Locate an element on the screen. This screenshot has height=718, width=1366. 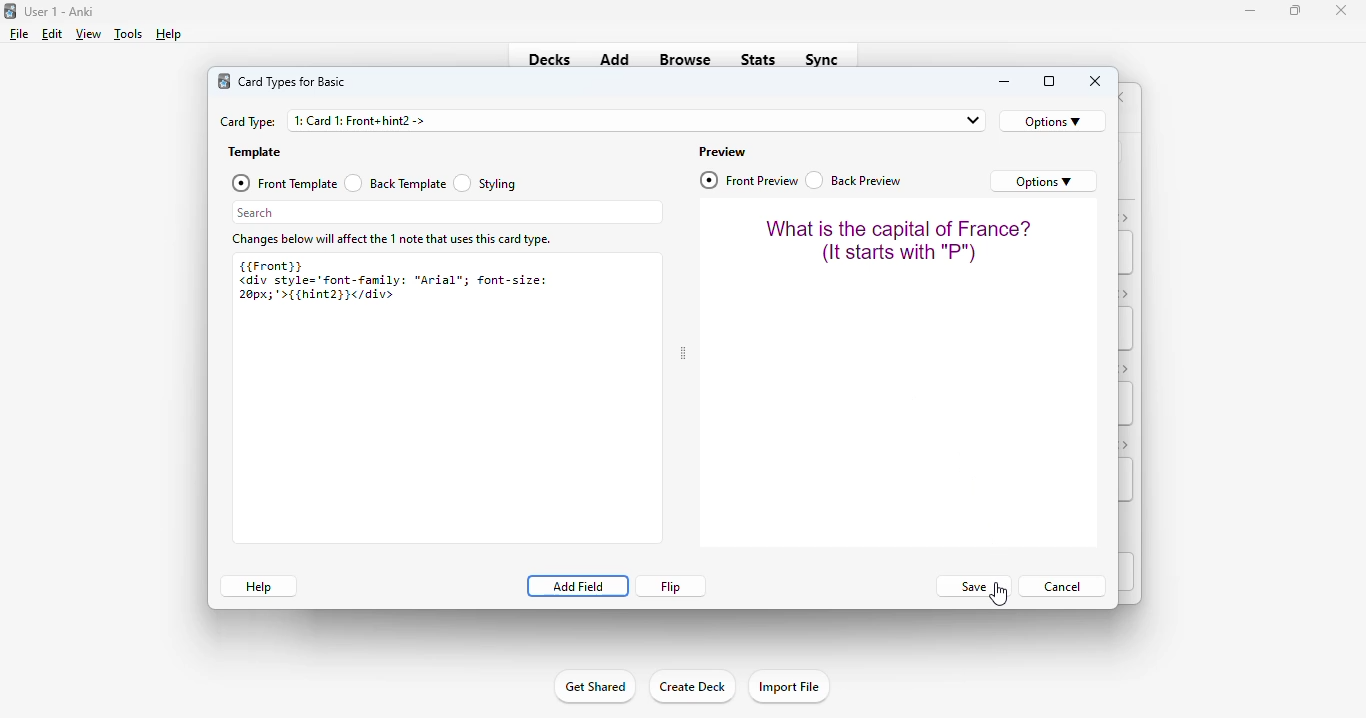
add field is located at coordinates (577, 586).